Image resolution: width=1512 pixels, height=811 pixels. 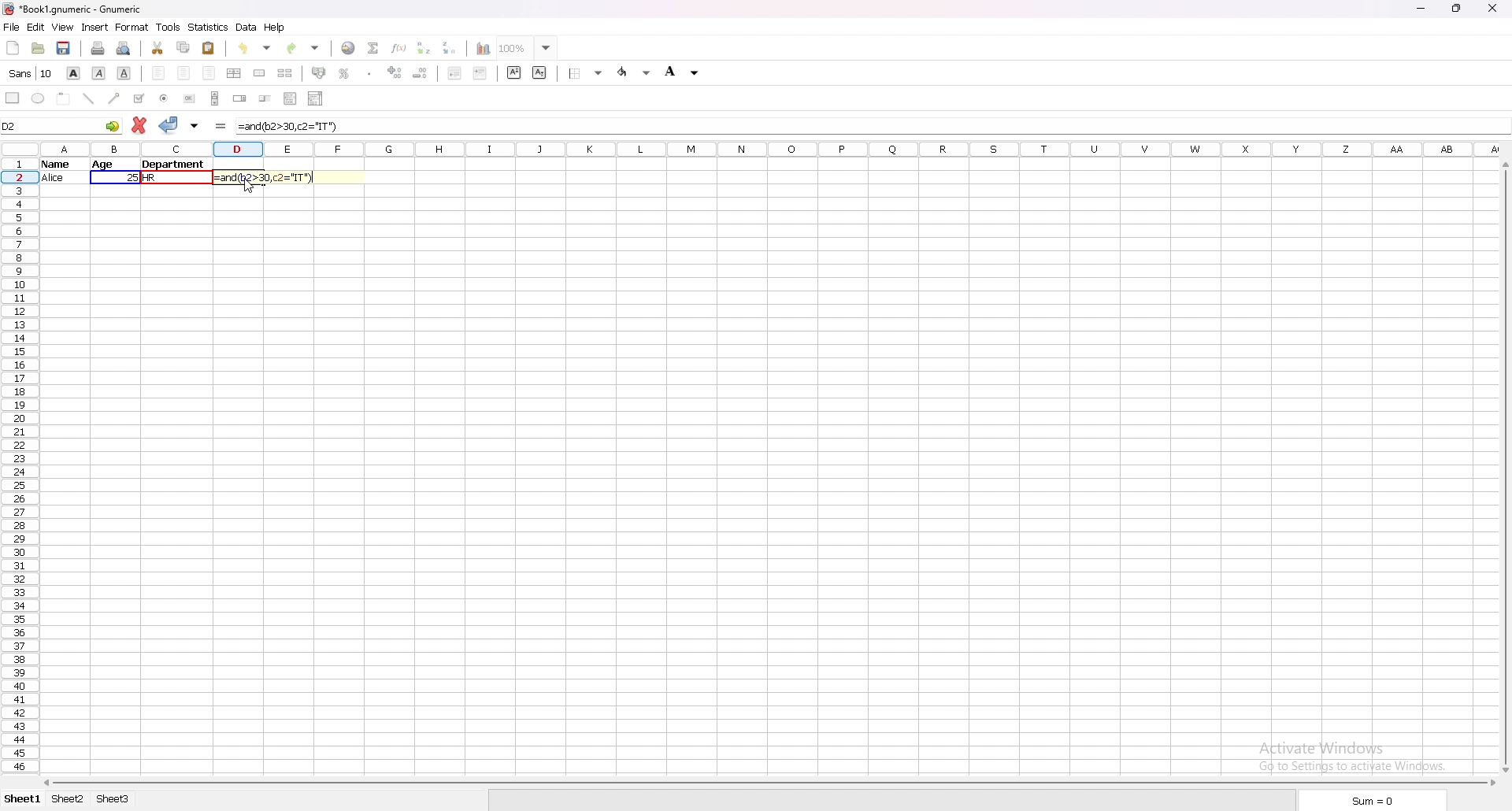 What do you see at coordinates (63, 28) in the screenshot?
I see `view` at bounding box center [63, 28].